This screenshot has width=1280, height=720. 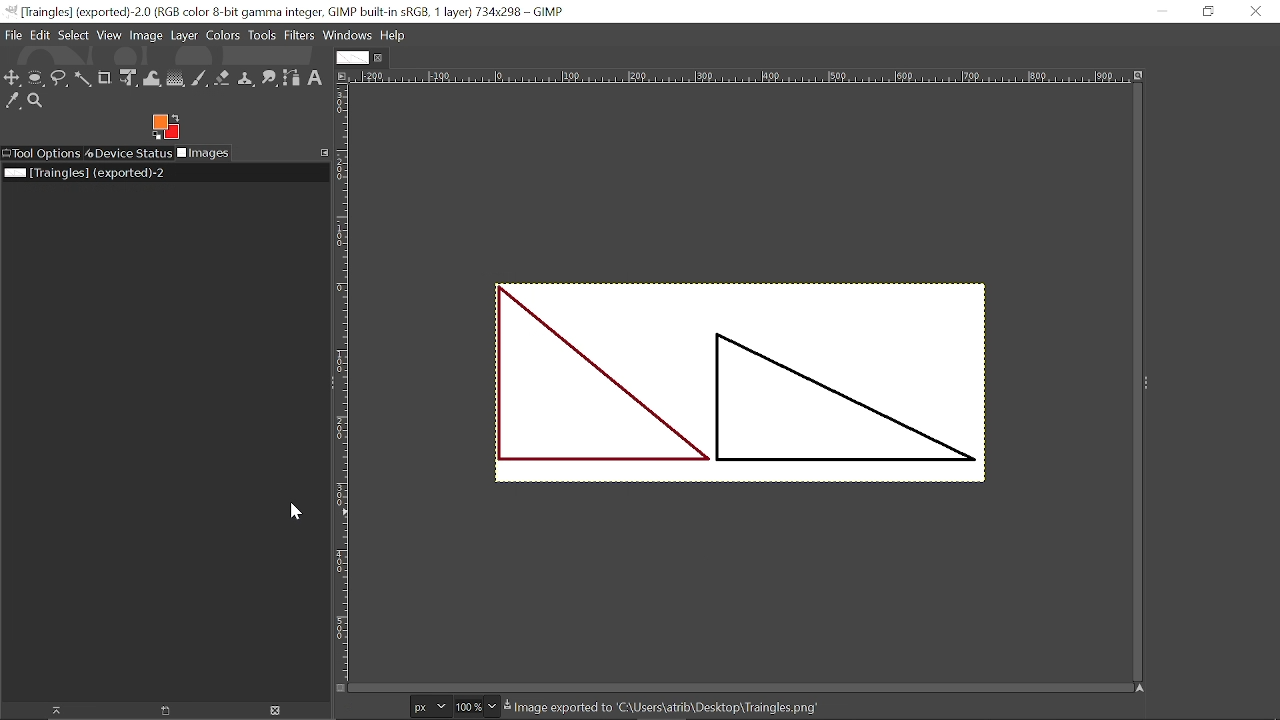 What do you see at coordinates (1257, 13) in the screenshot?
I see `Close` at bounding box center [1257, 13].